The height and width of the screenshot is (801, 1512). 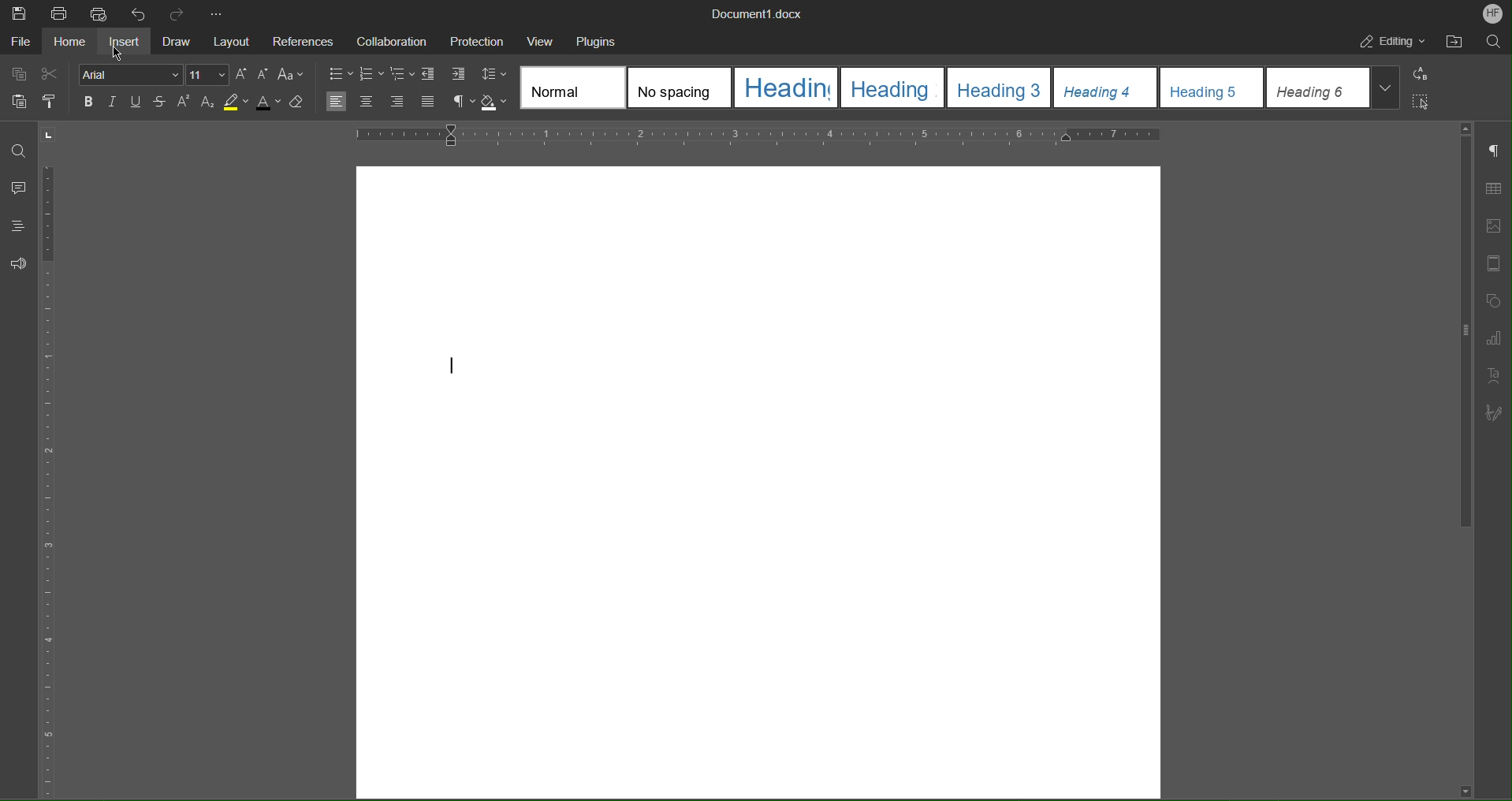 I want to click on Centre Align, so click(x=367, y=102).